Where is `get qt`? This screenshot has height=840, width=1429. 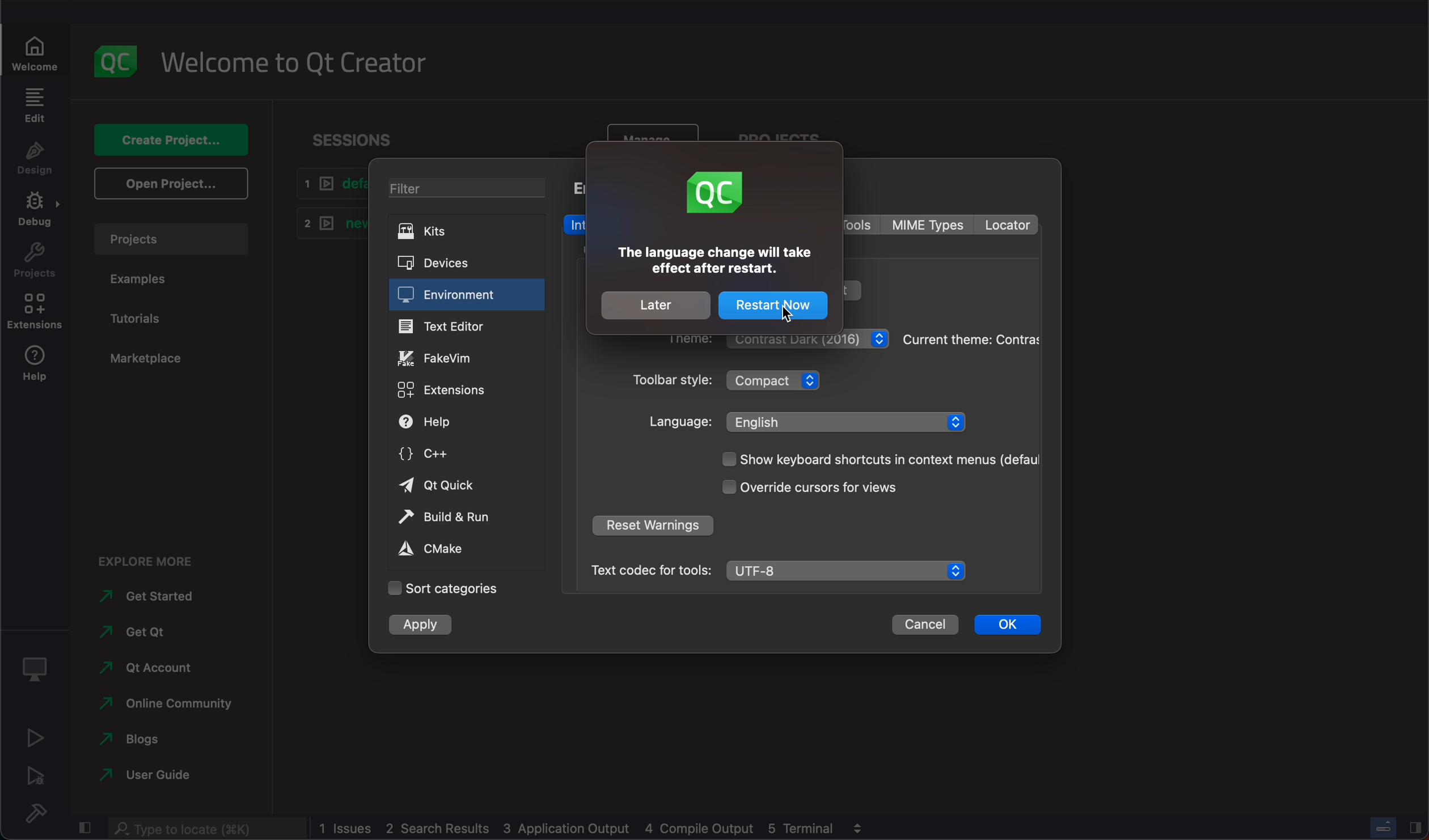
get qt is located at coordinates (139, 632).